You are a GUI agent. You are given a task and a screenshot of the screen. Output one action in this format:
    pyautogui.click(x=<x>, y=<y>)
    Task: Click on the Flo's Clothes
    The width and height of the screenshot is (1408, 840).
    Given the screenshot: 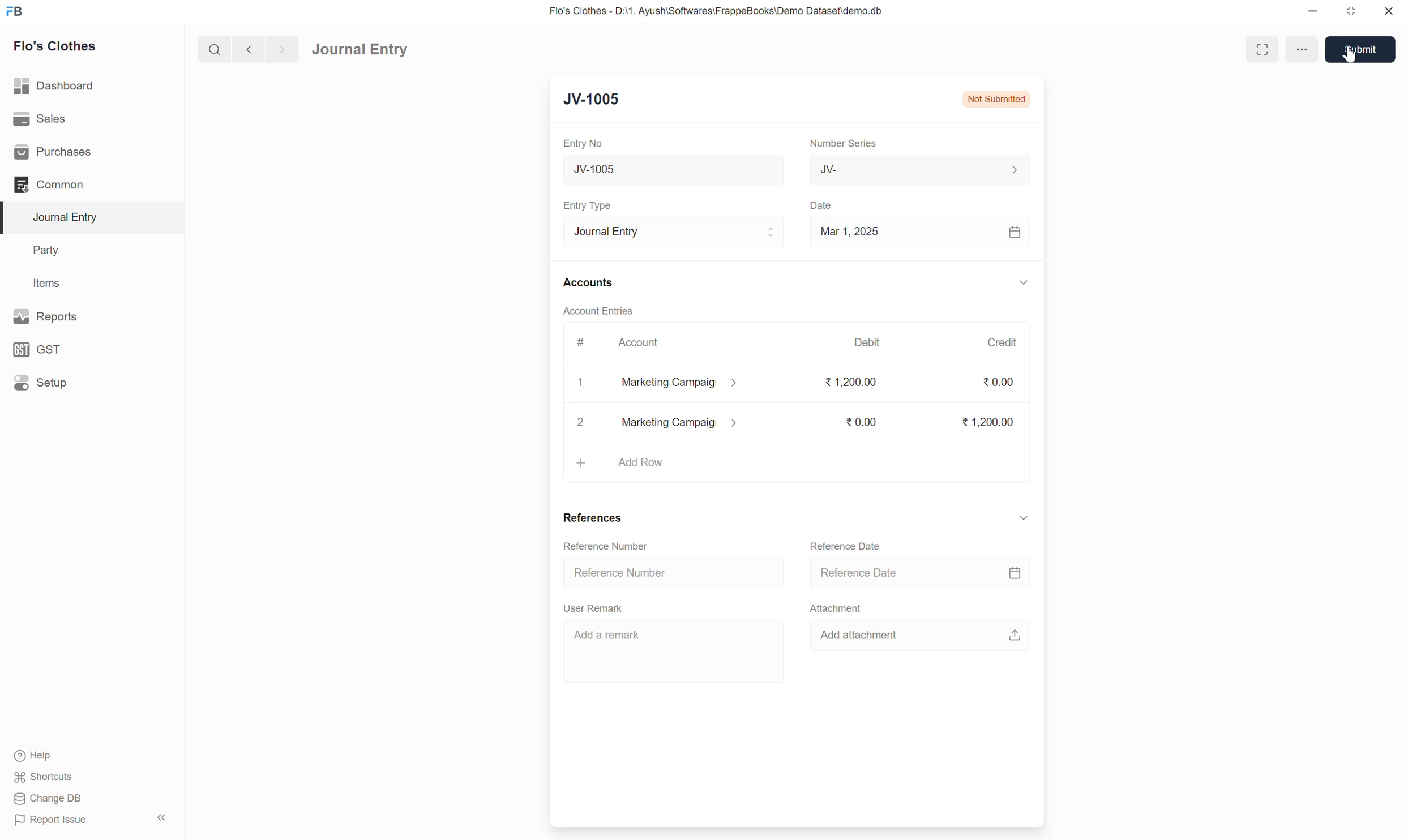 What is the action you would take?
    pyautogui.click(x=57, y=46)
    